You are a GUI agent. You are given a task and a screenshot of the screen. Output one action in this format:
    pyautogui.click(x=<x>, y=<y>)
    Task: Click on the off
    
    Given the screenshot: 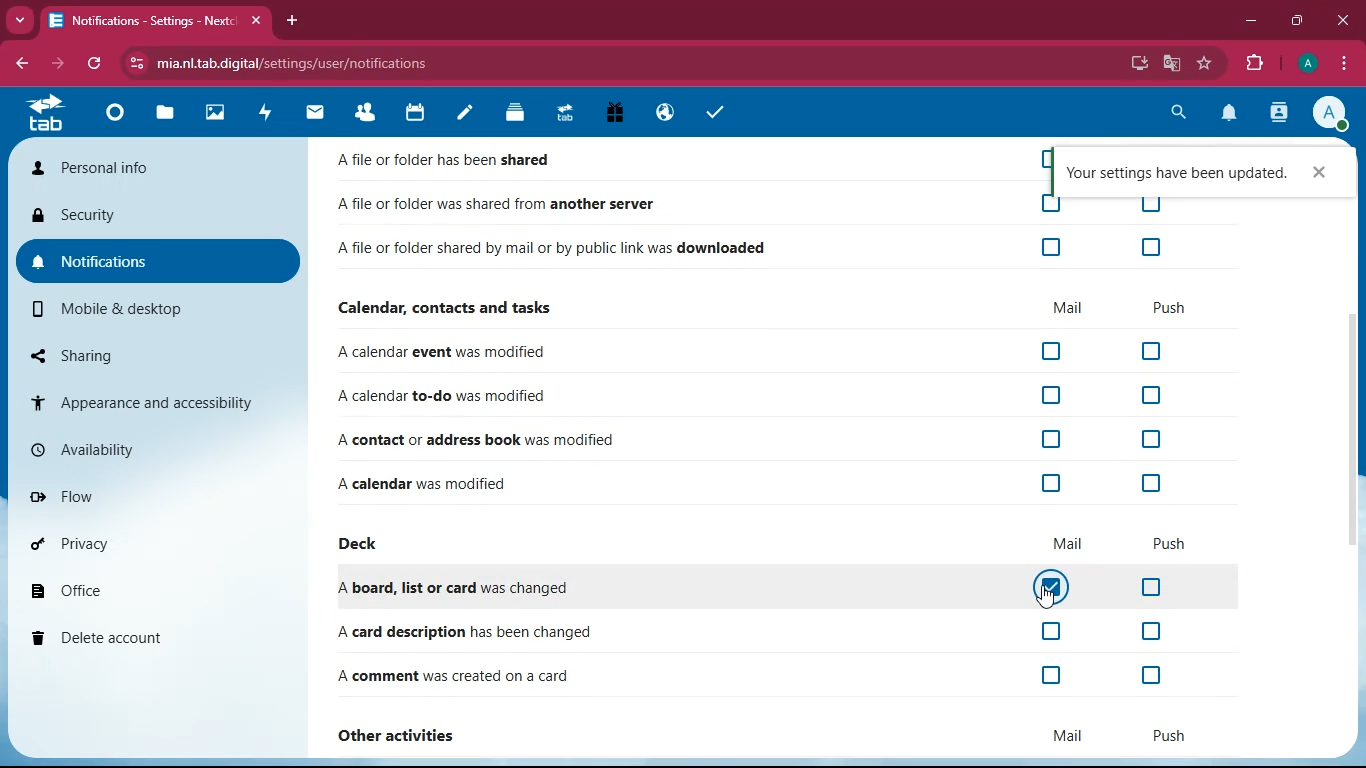 What is the action you would take?
    pyautogui.click(x=1054, y=631)
    